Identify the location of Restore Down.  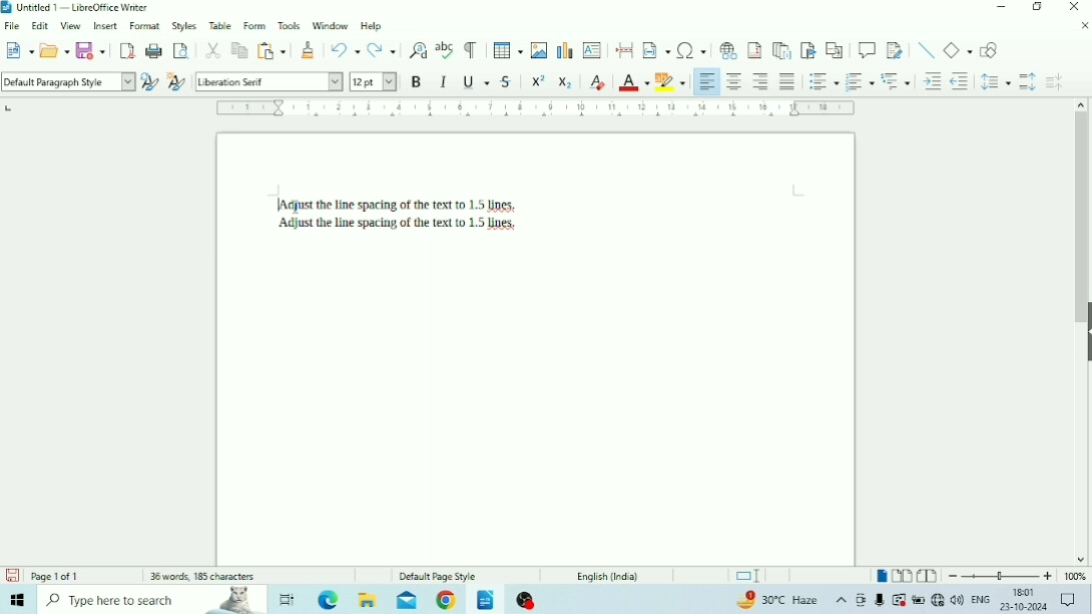
(1037, 7).